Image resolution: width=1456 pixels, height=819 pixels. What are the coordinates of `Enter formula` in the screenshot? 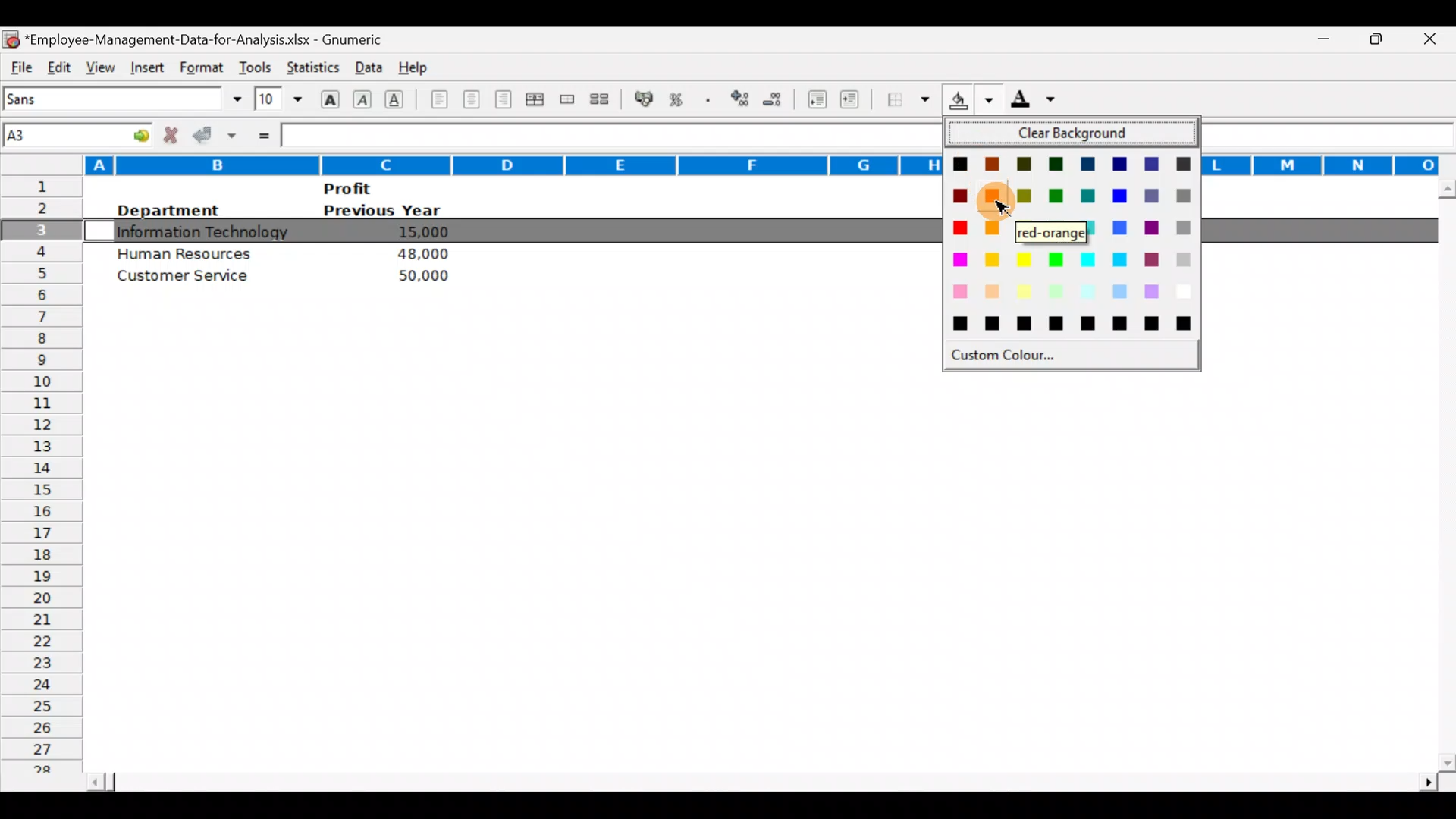 It's located at (262, 134).